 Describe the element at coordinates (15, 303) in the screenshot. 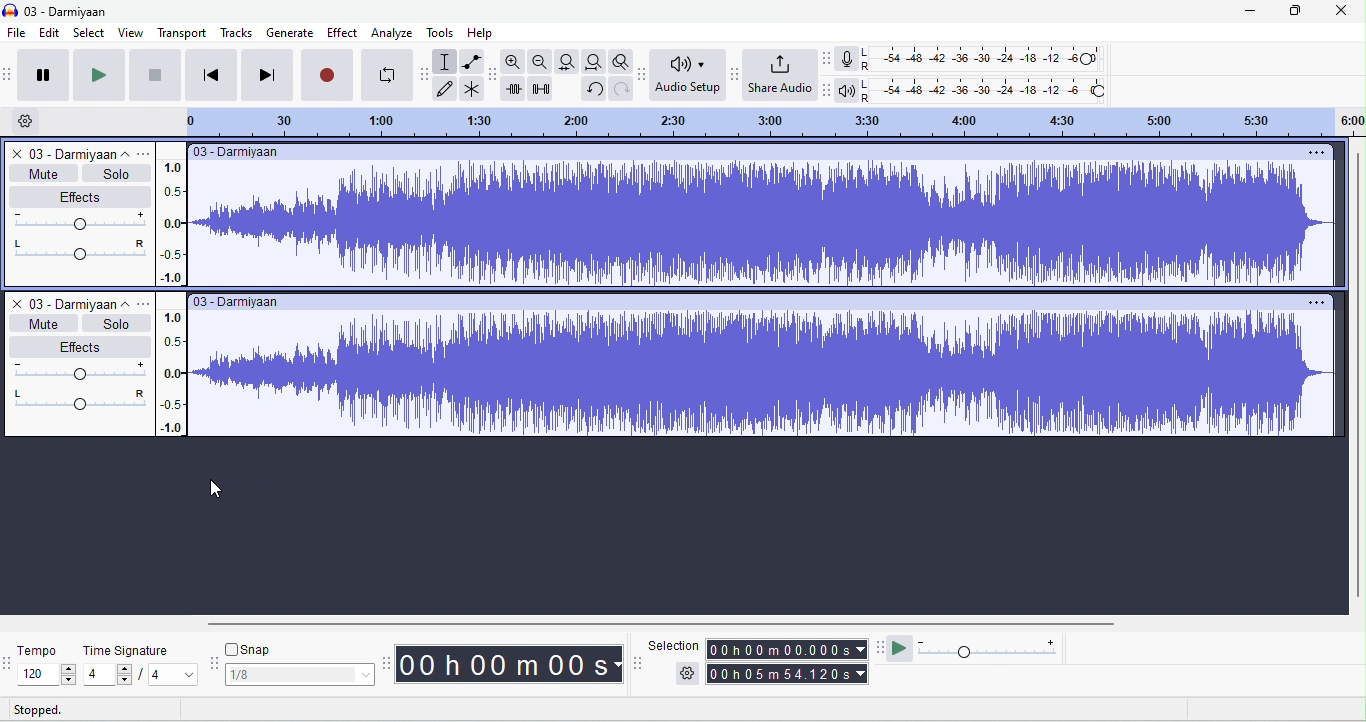

I see `close` at that location.